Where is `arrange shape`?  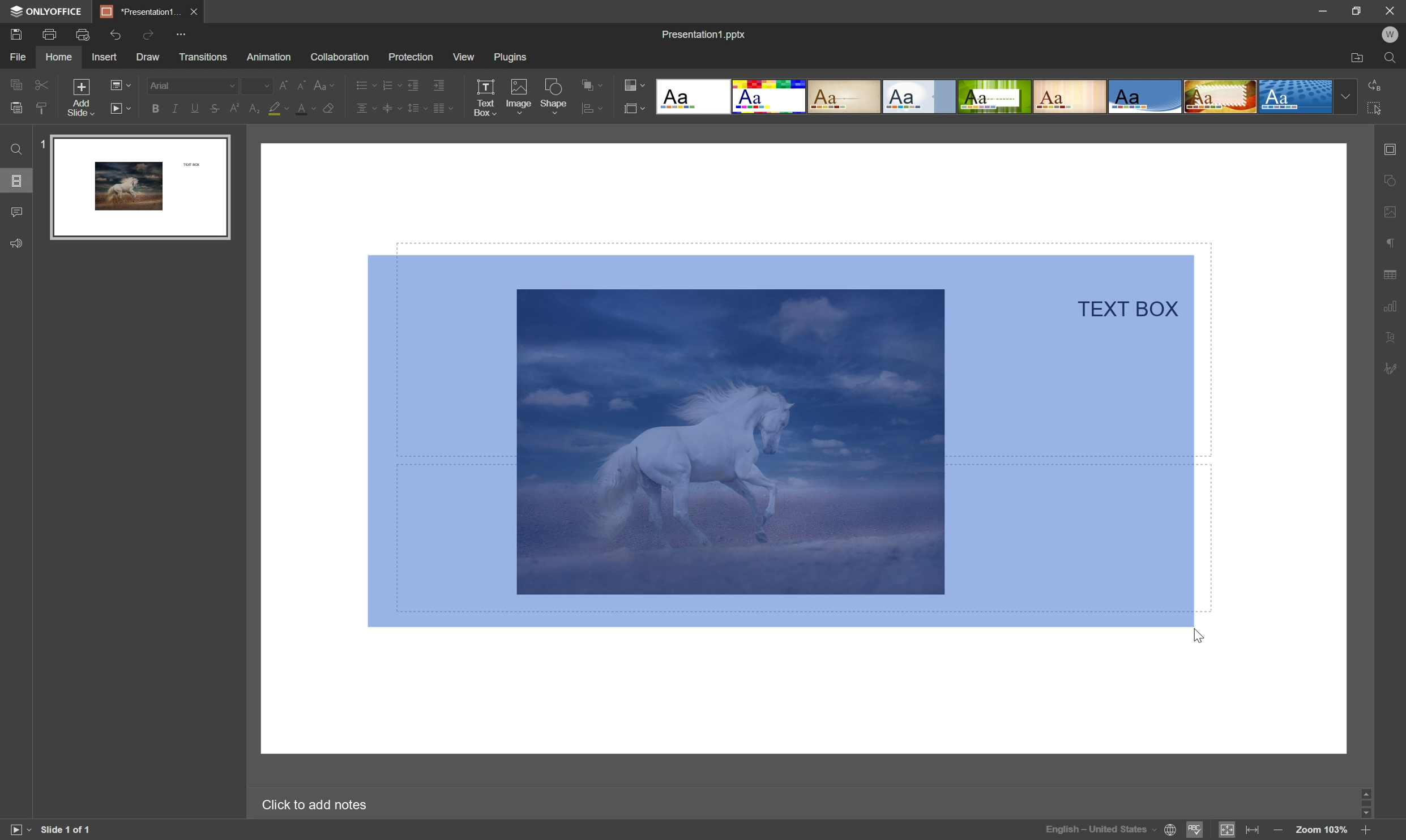 arrange shape is located at coordinates (593, 84).